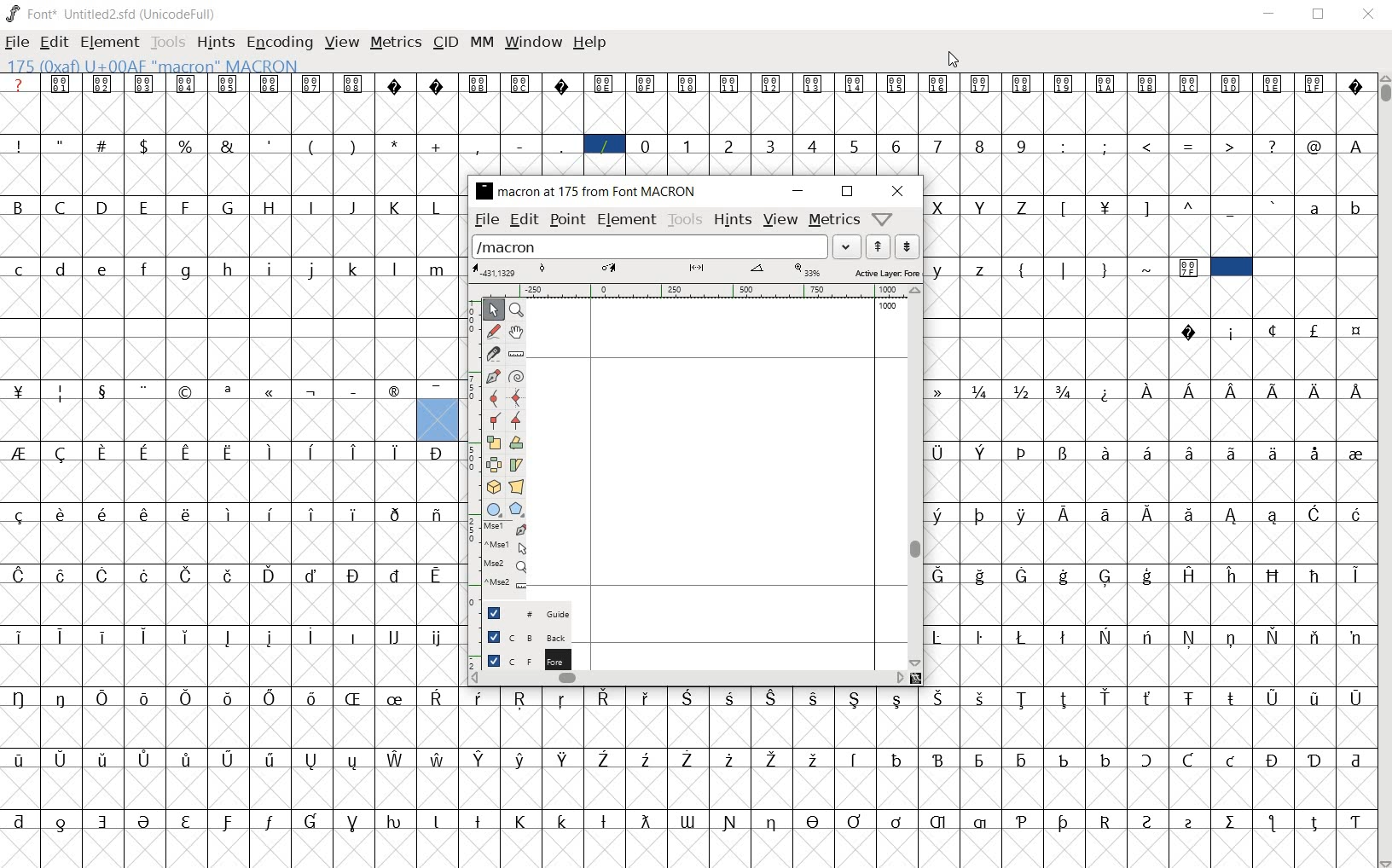  What do you see at coordinates (106, 635) in the screenshot?
I see `Symbol` at bounding box center [106, 635].